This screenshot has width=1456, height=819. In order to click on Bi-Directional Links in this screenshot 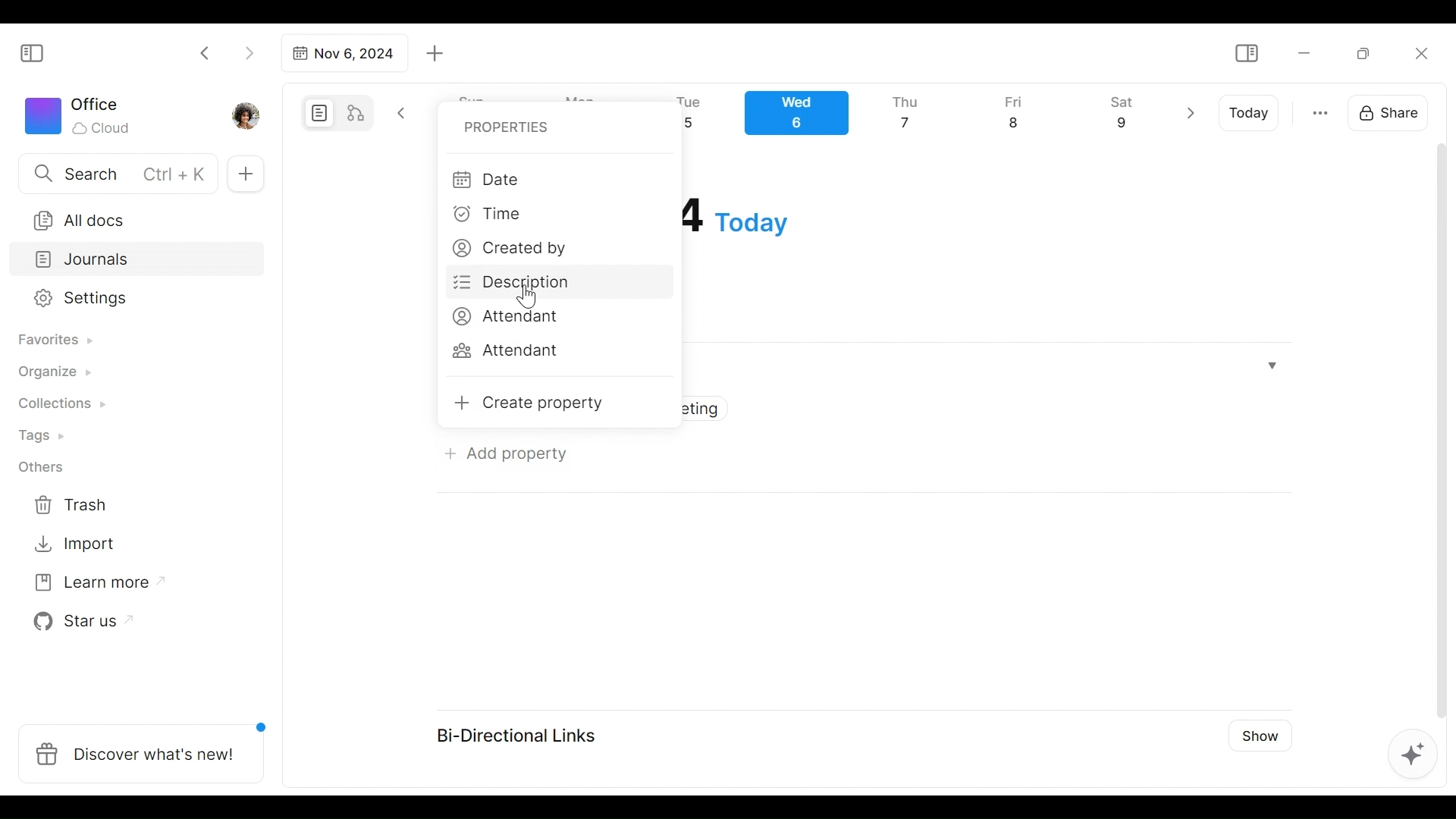, I will do `click(524, 734)`.